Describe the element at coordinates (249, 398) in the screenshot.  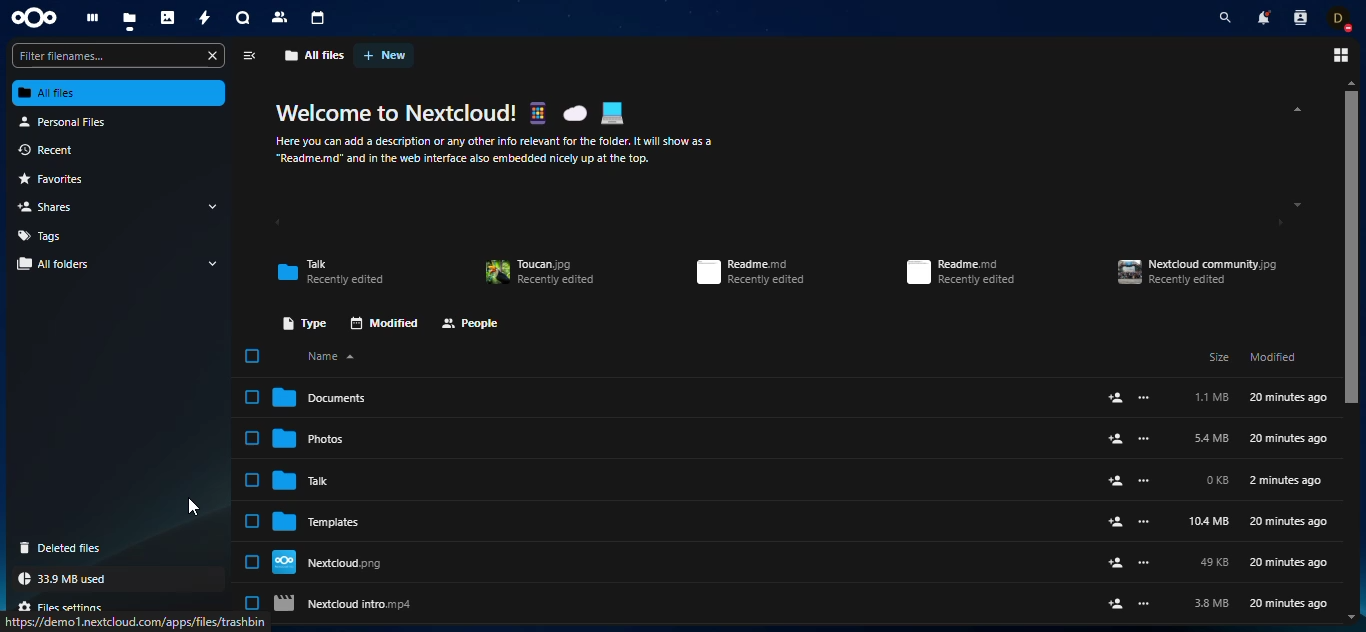
I see `Checkbox` at that location.